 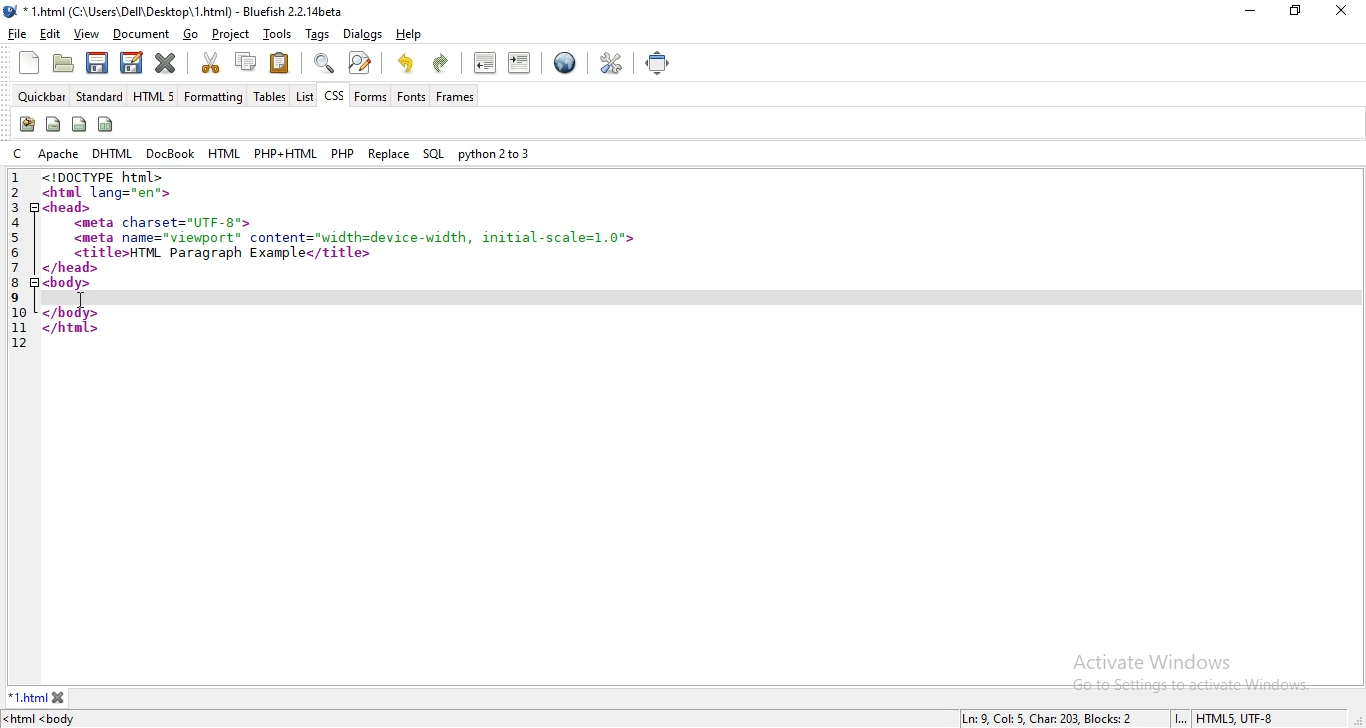 I want to click on * 1.html (C:\Users\Dell\Desktop\ 1.html) - Bluefish 2.2.14beta, so click(x=186, y=12).